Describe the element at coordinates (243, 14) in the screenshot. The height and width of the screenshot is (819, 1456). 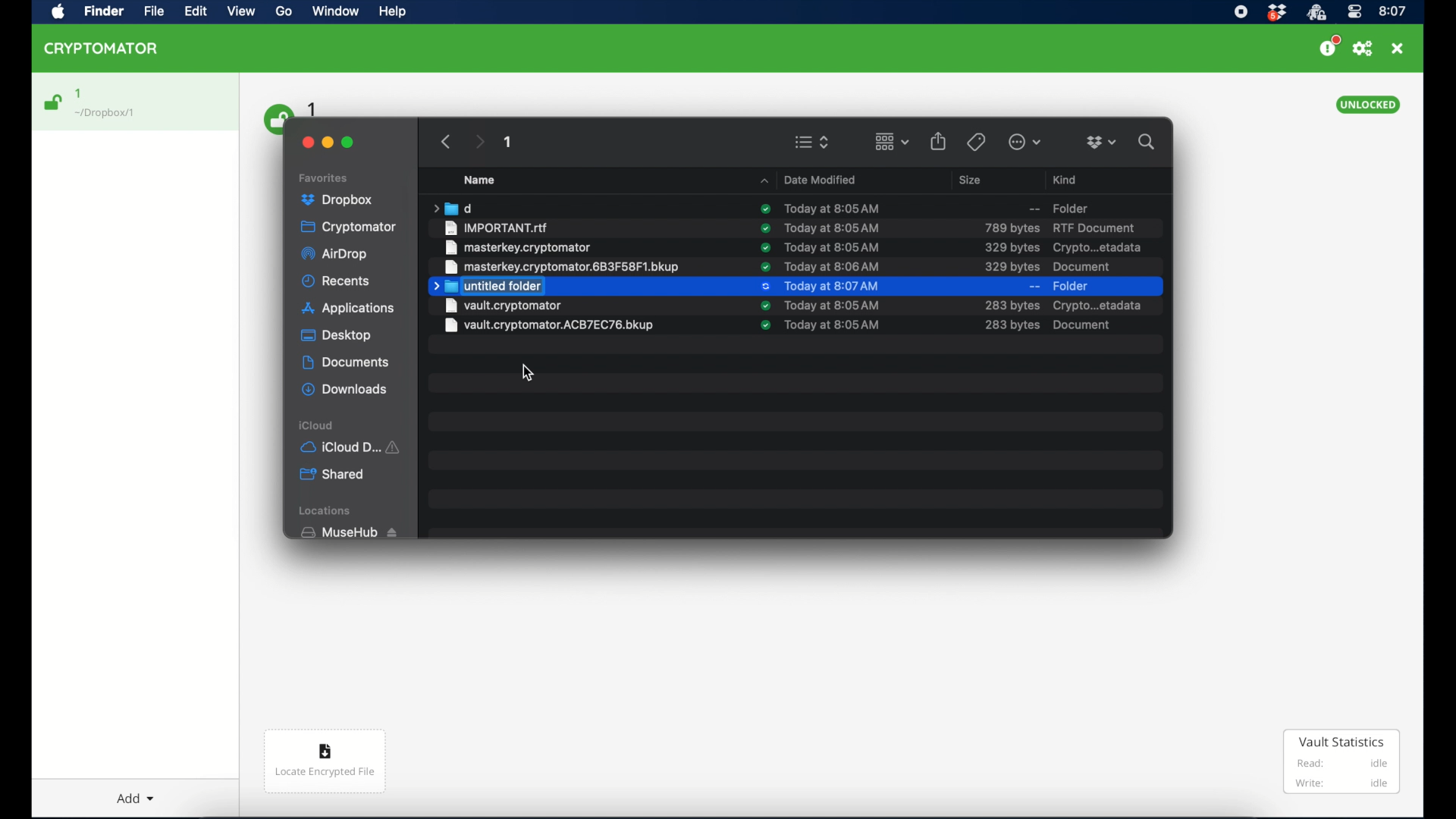
I see `View` at that location.